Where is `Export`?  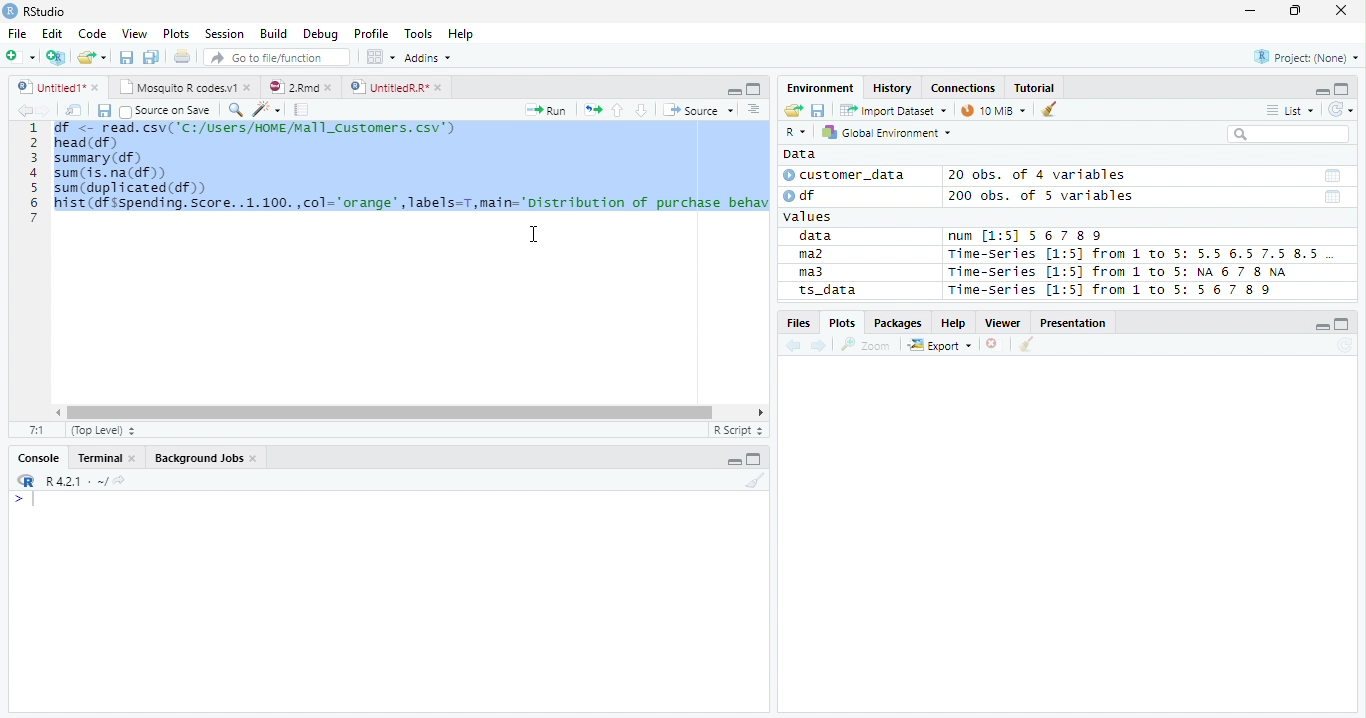 Export is located at coordinates (940, 346).